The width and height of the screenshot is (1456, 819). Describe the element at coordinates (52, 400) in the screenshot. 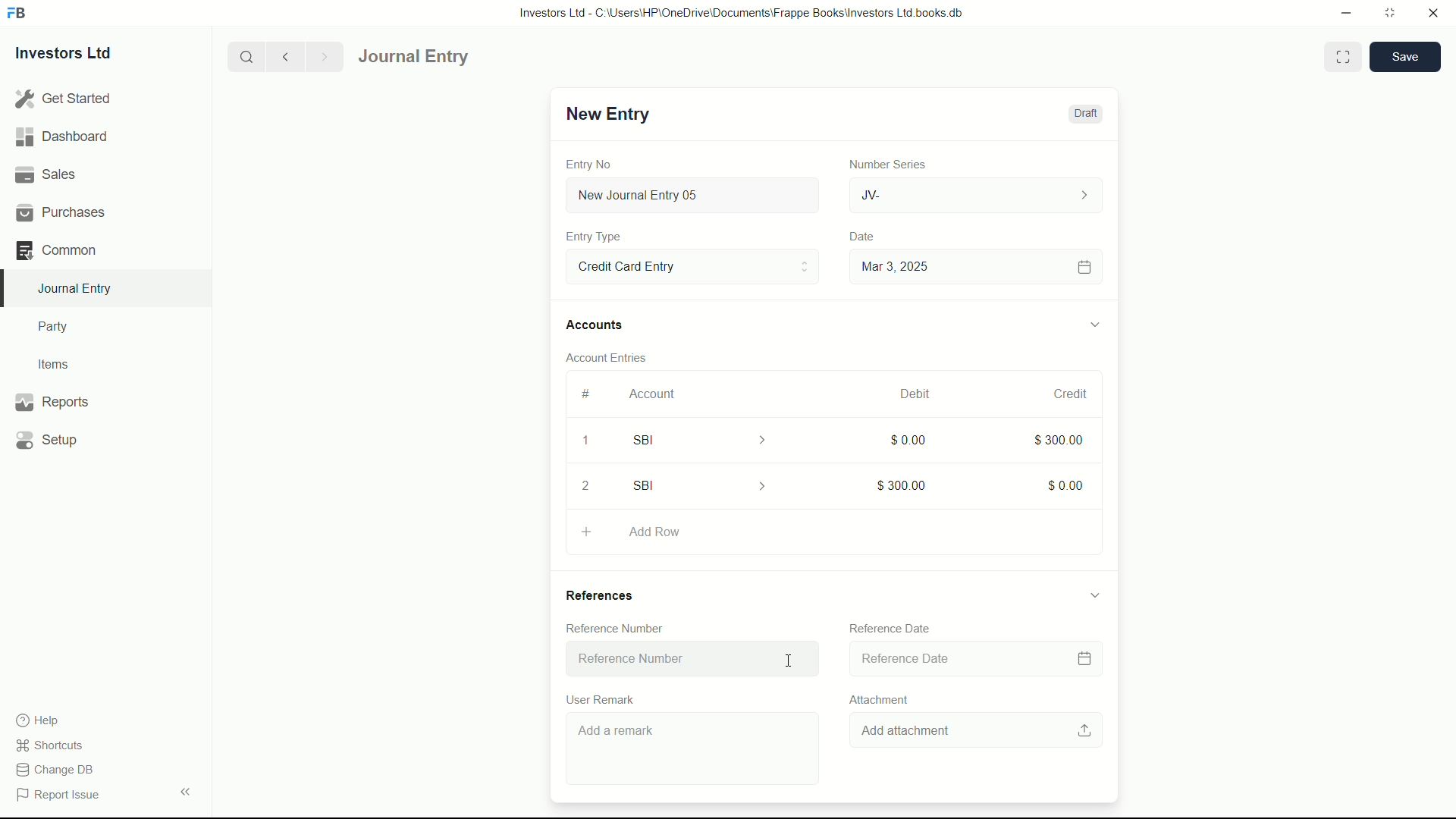

I see `Reports .` at that location.